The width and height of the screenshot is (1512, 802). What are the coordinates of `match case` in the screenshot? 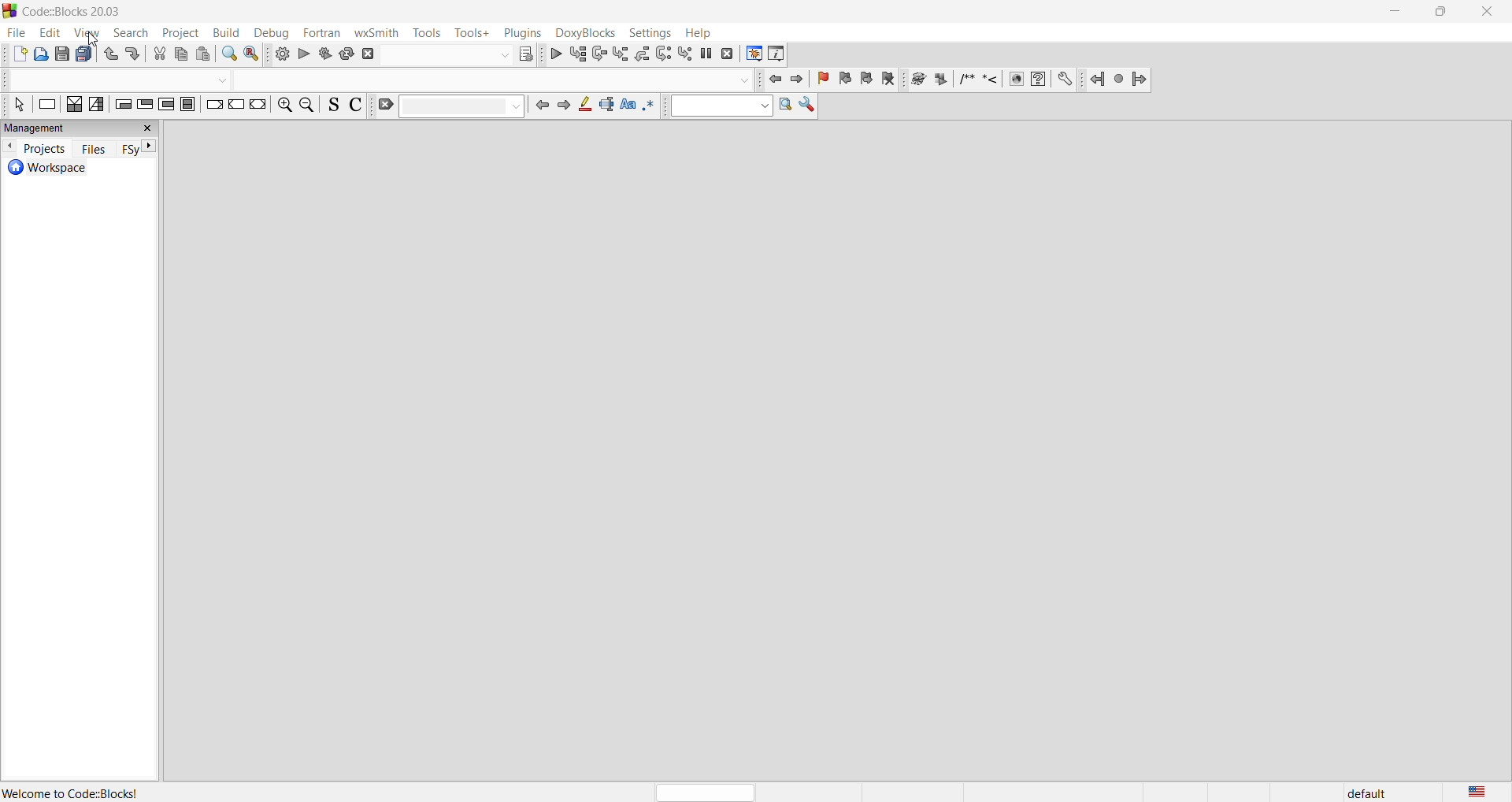 It's located at (628, 104).